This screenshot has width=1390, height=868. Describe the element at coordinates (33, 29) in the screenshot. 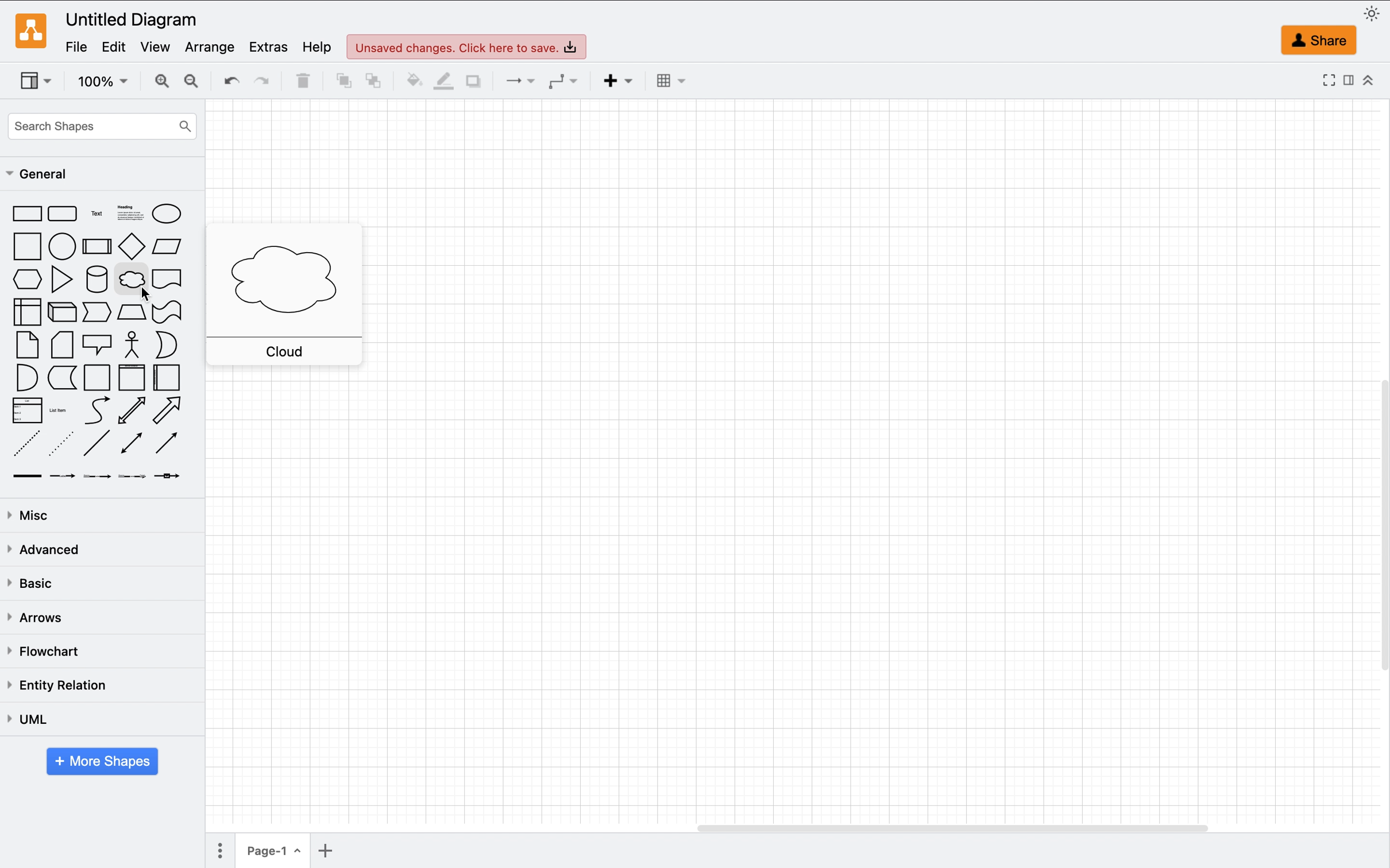

I see `draw.io logo` at that location.